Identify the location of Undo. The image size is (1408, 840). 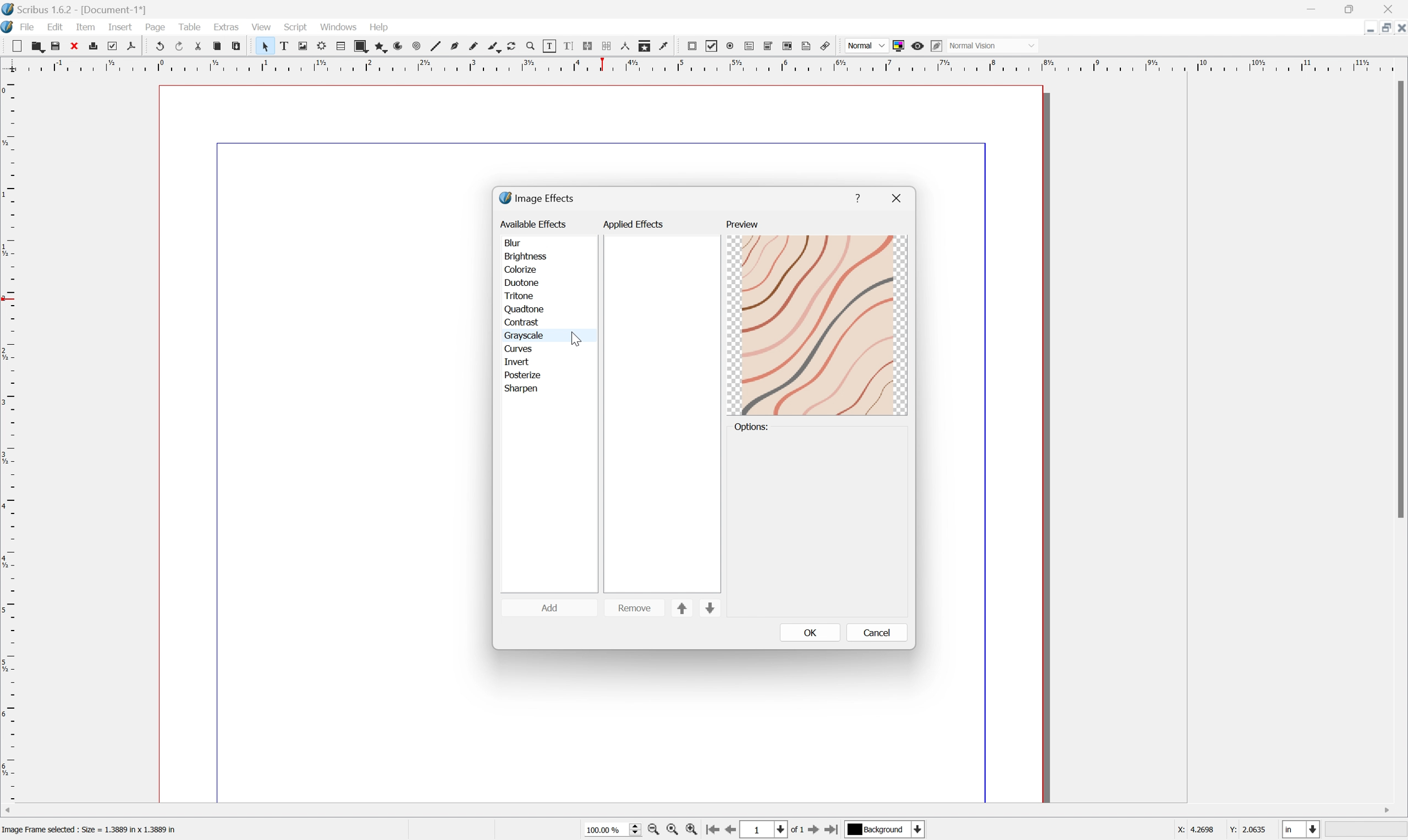
(161, 45).